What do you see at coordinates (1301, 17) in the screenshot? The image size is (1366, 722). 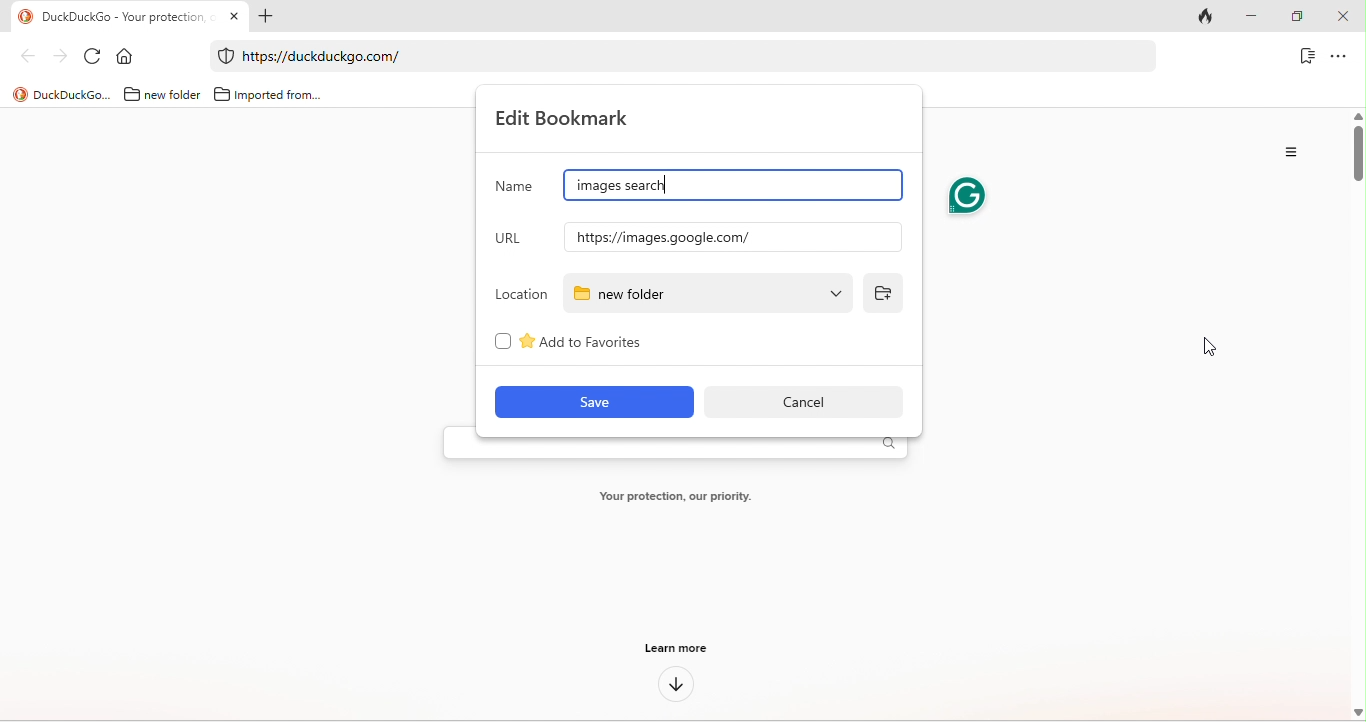 I see `maximize` at bounding box center [1301, 17].